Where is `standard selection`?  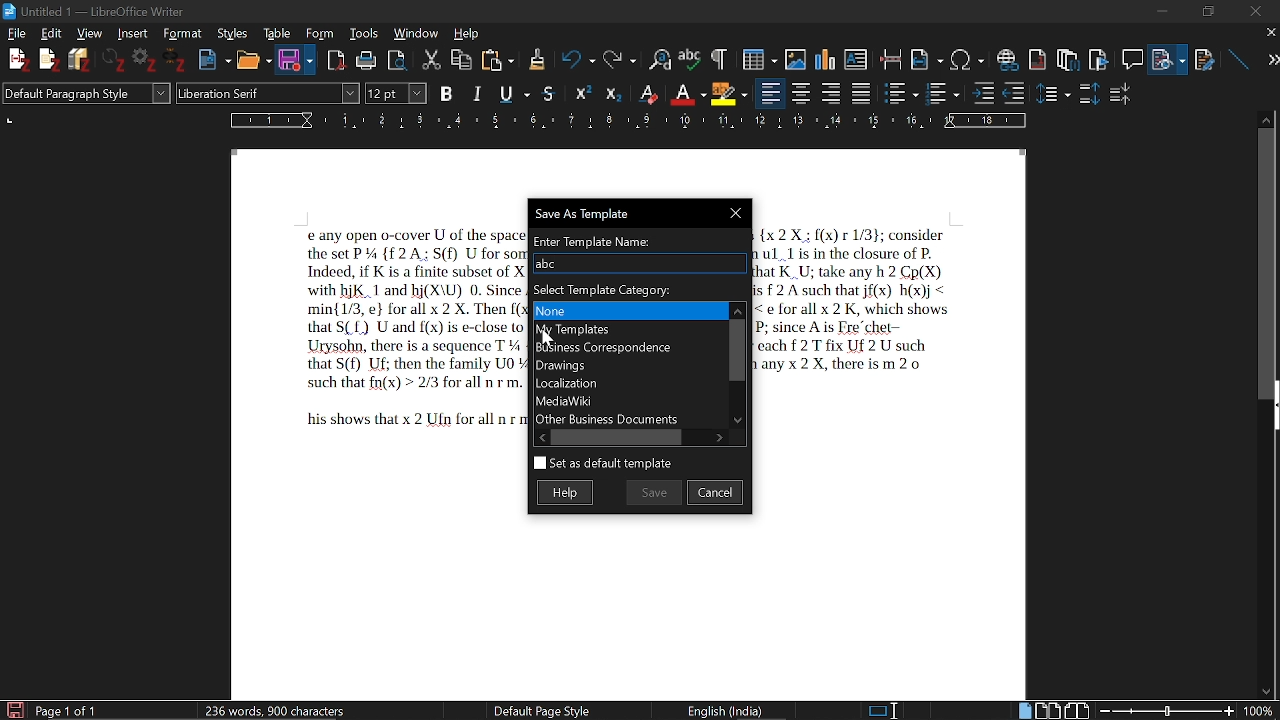
standard selection is located at coordinates (884, 710).